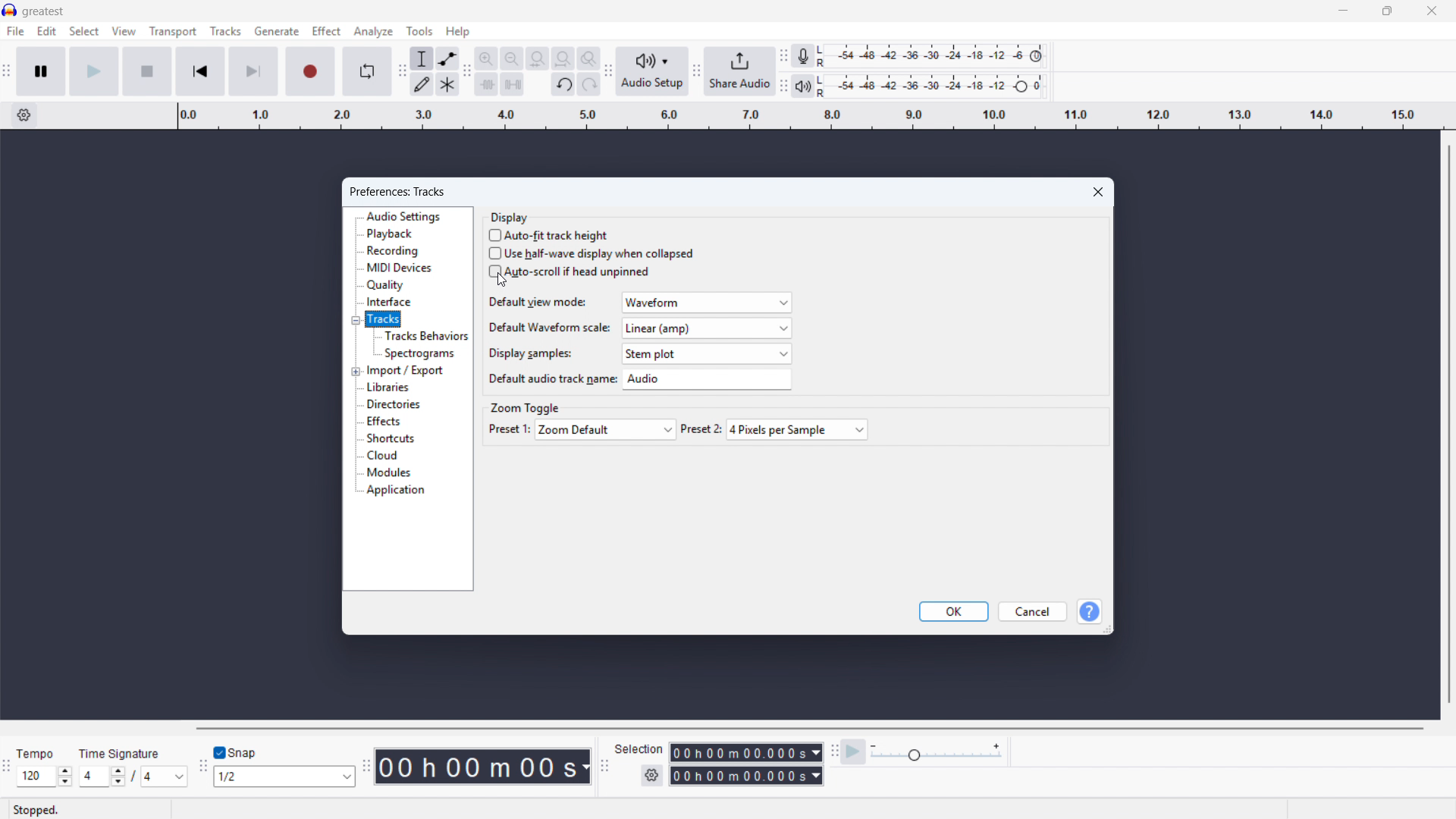  What do you see at coordinates (796, 429) in the screenshot?
I see `Preset 2 ` at bounding box center [796, 429].